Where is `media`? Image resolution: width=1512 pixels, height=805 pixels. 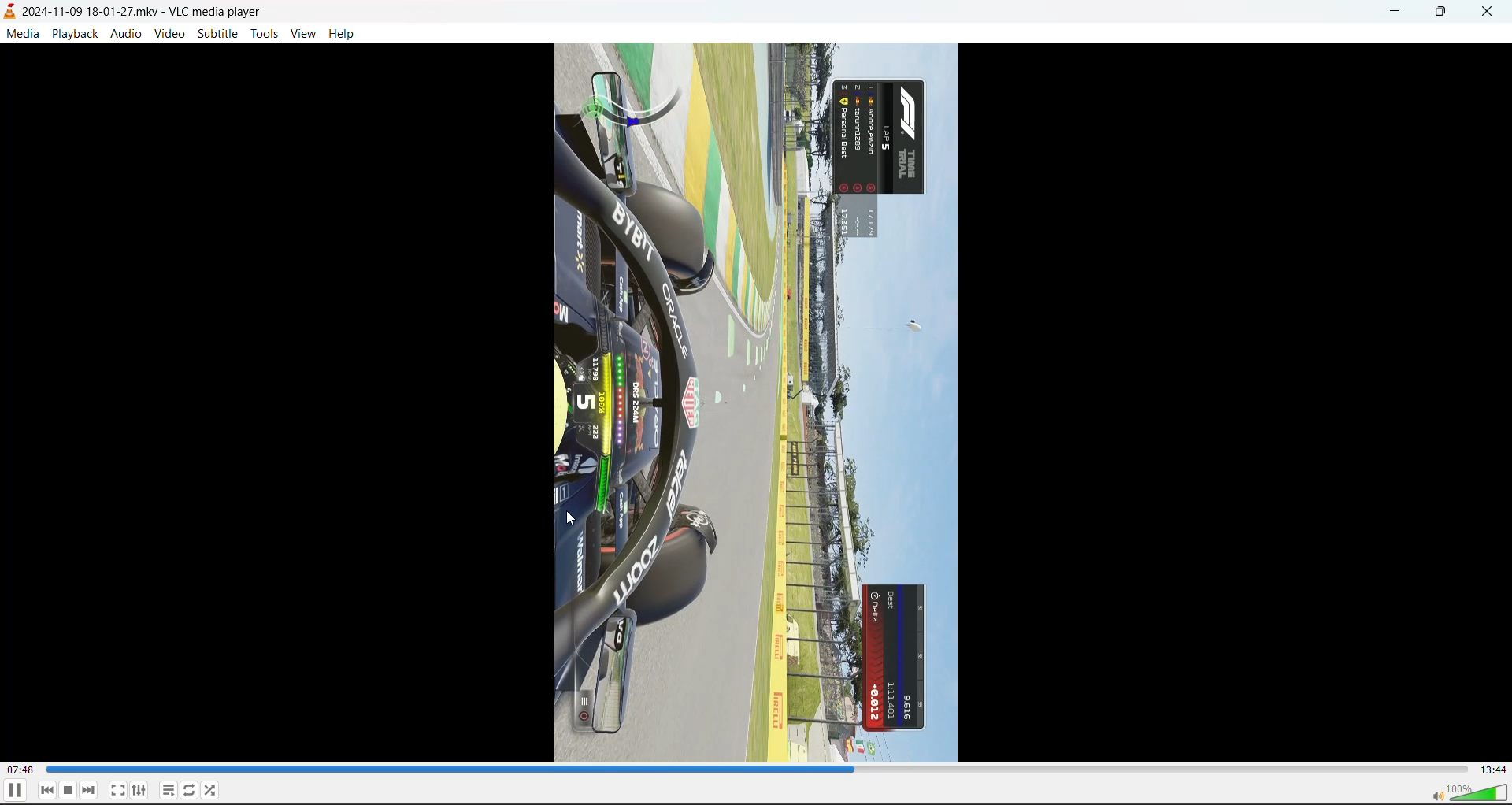
media is located at coordinates (23, 34).